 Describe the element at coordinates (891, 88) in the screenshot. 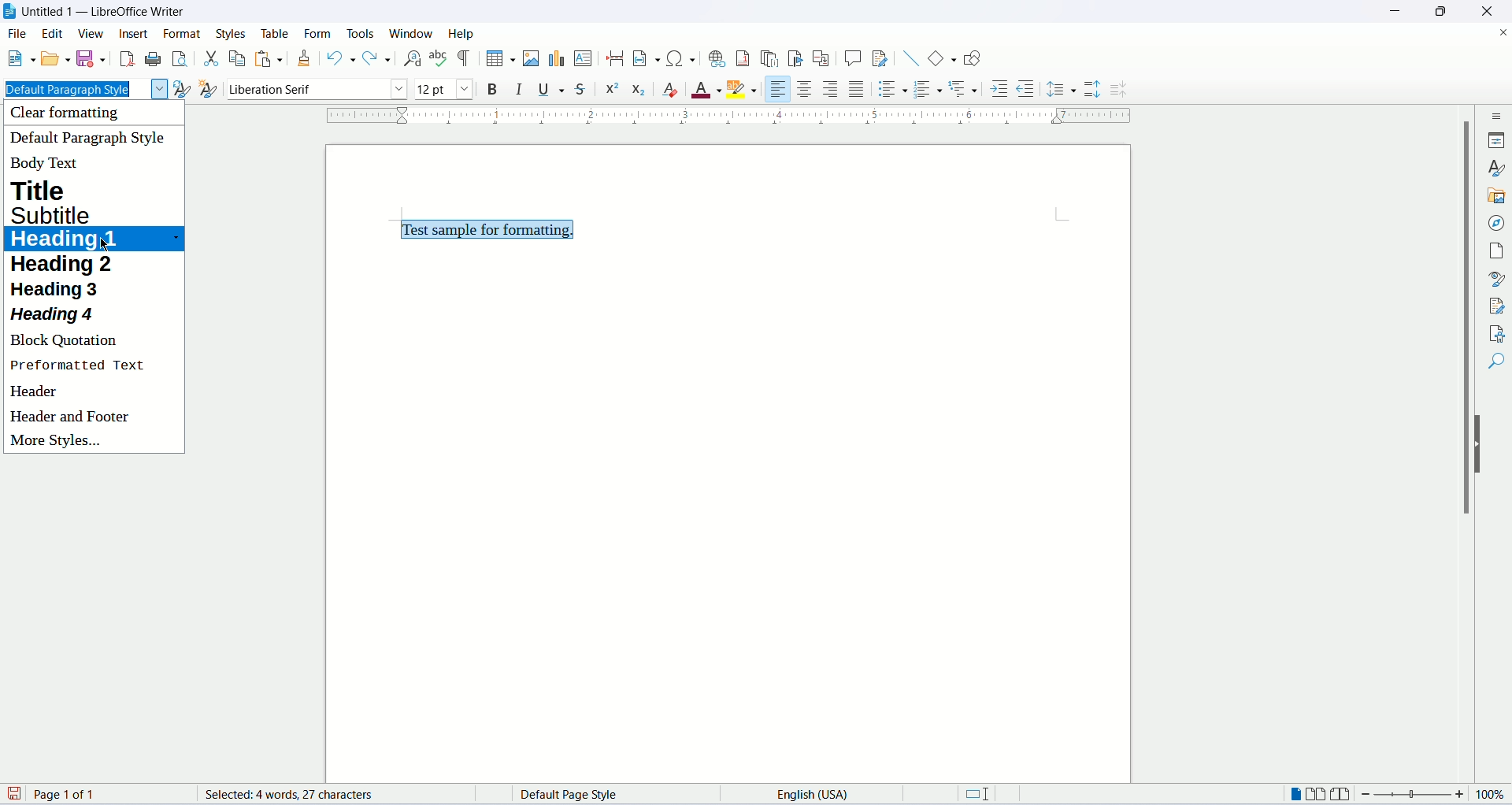

I see `unordered list` at that location.